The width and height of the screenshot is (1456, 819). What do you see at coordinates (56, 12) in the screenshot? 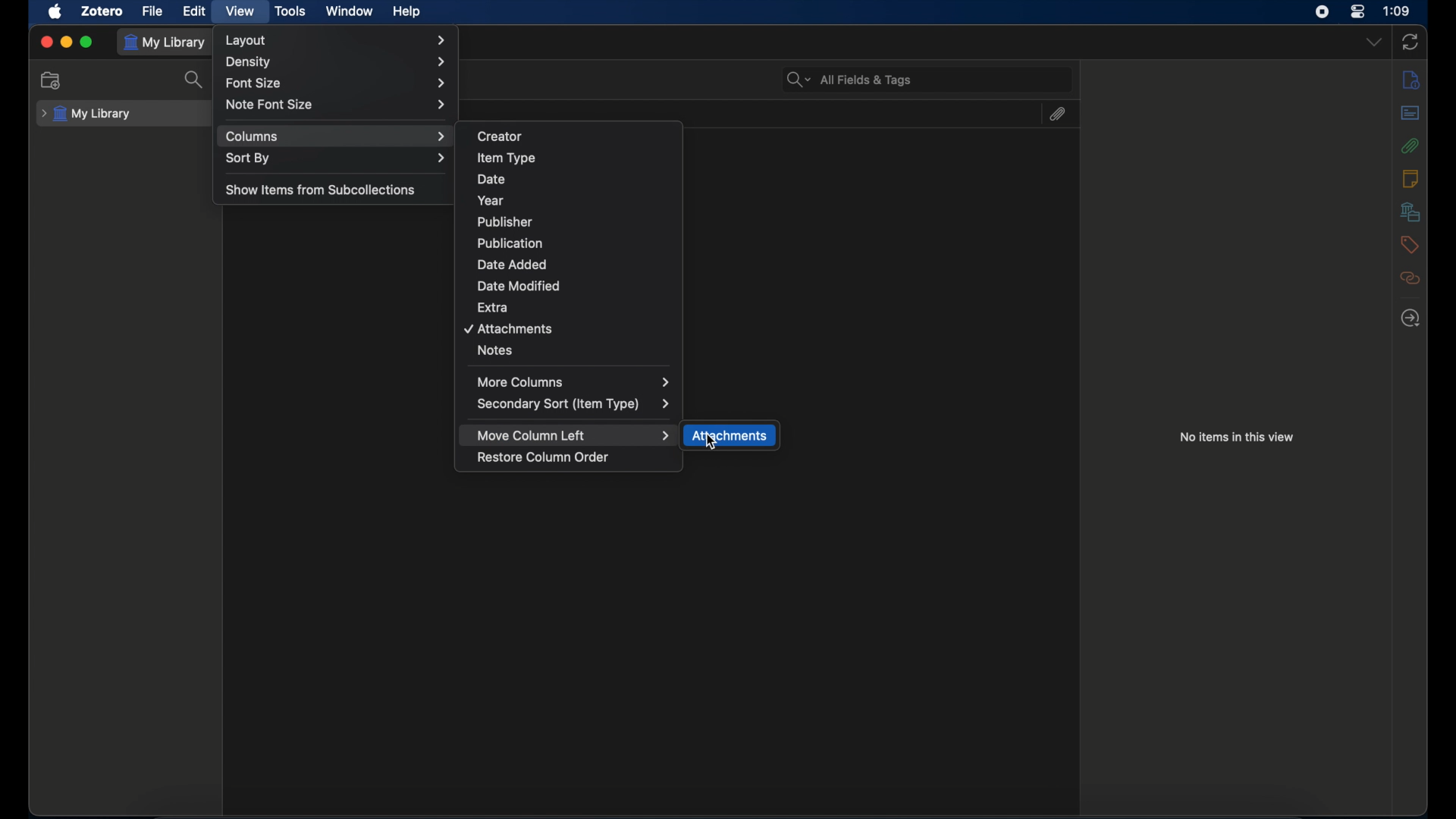
I see `apple` at bounding box center [56, 12].